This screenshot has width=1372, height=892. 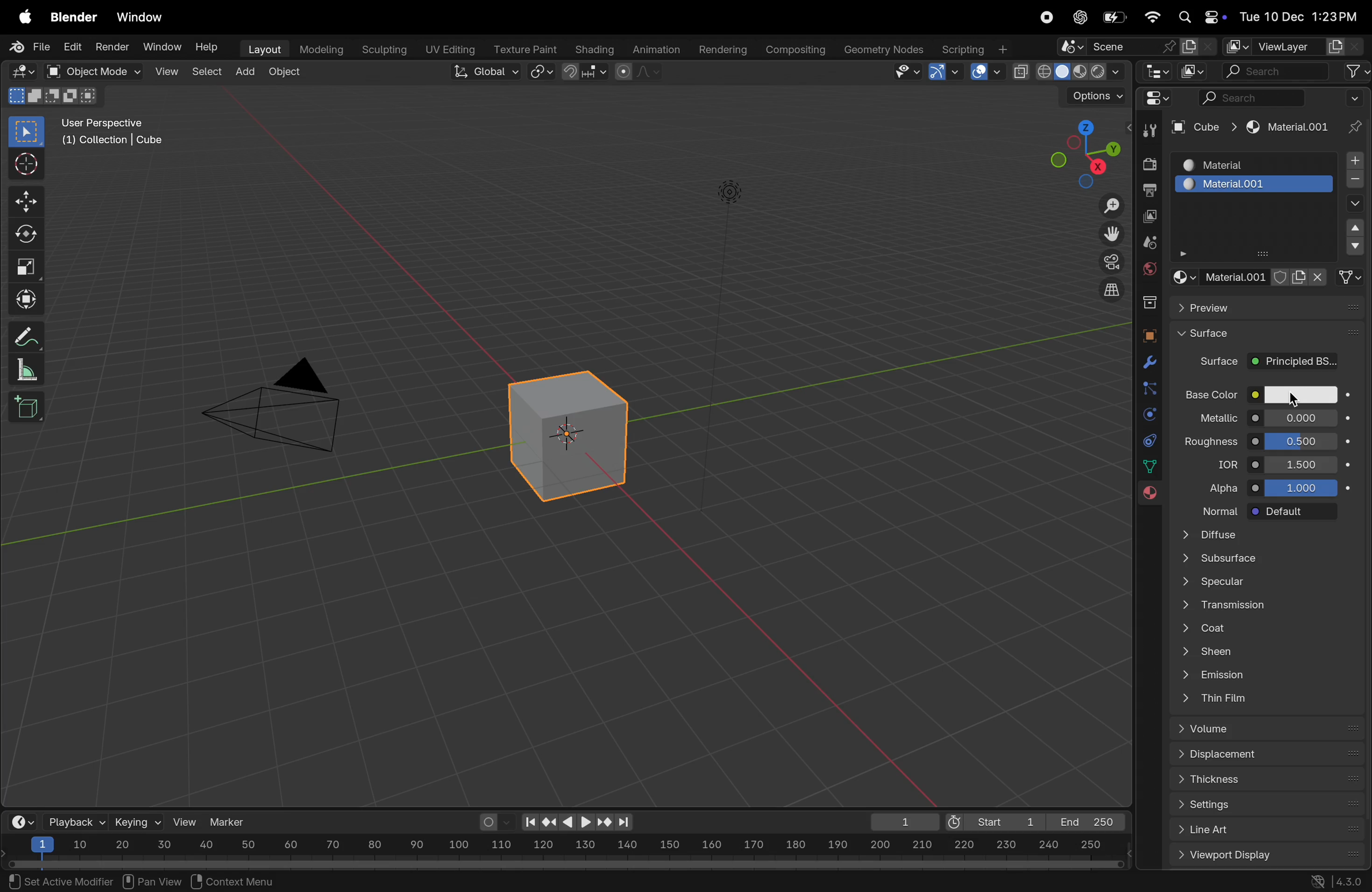 What do you see at coordinates (1260, 560) in the screenshot?
I see `subsurface` at bounding box center [1260, 560].